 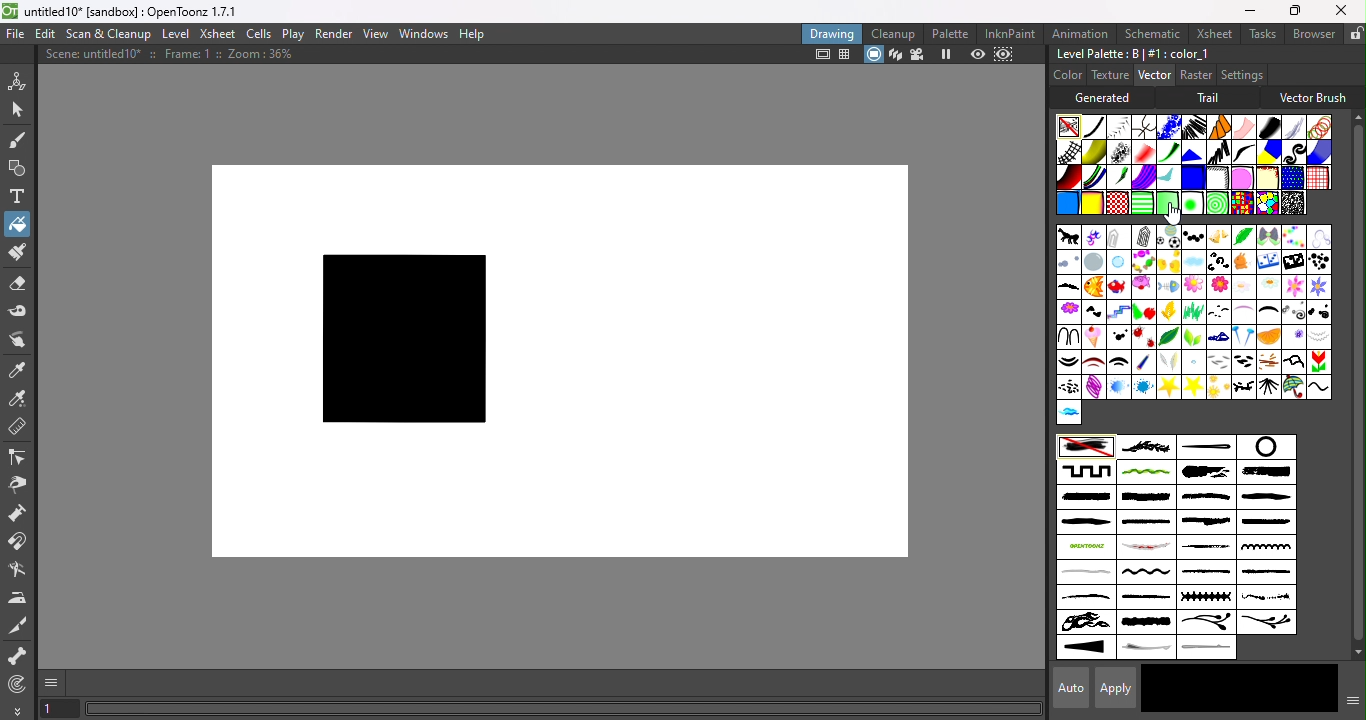 I want to click on Plain color, so click(x=1069, y=126).